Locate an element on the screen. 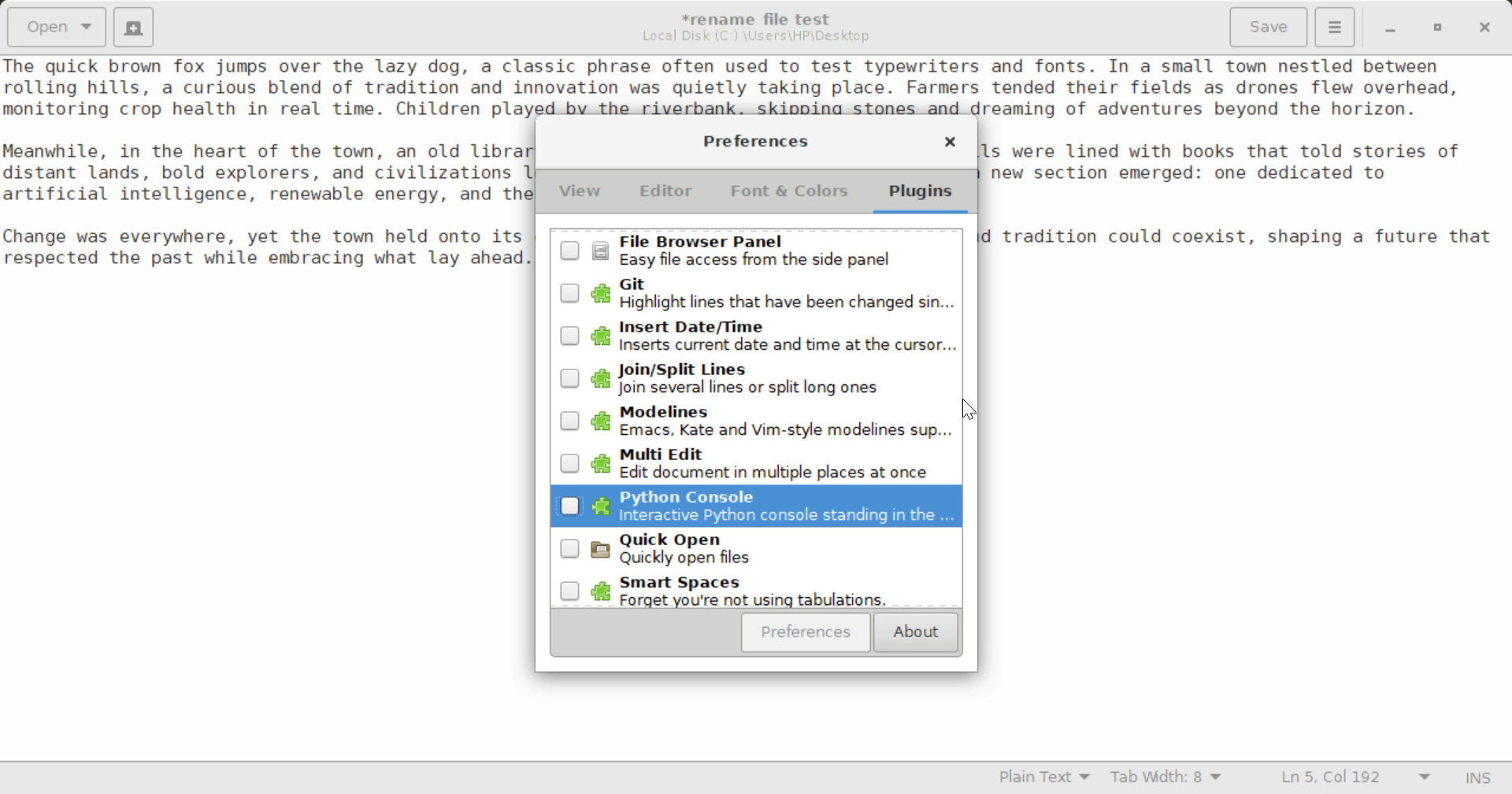 The width and height of the screenshot is (1512, 794). Menu is located at coordinates (1334, 25).